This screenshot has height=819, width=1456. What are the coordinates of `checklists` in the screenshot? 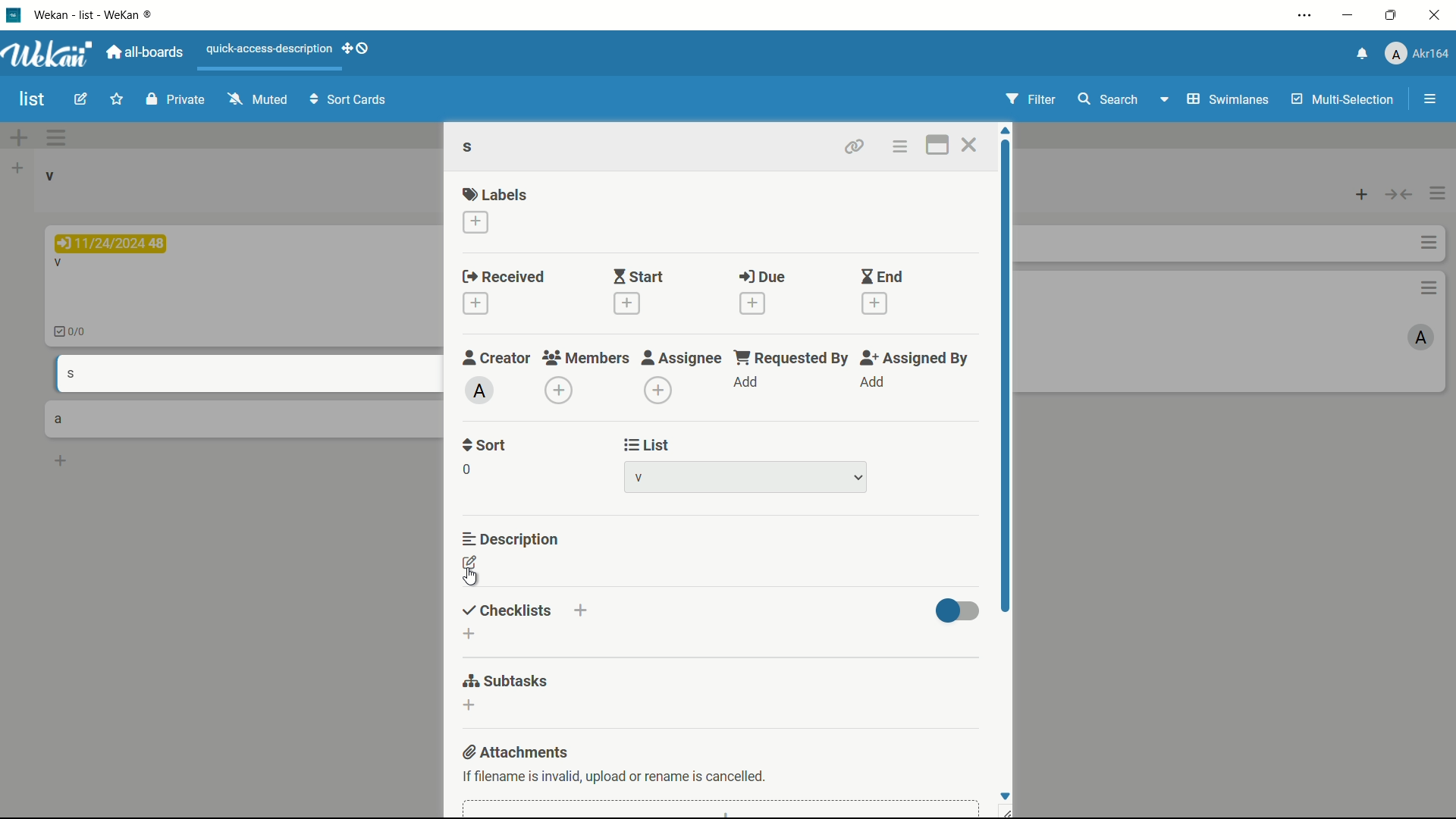 It's located at (506, 611).